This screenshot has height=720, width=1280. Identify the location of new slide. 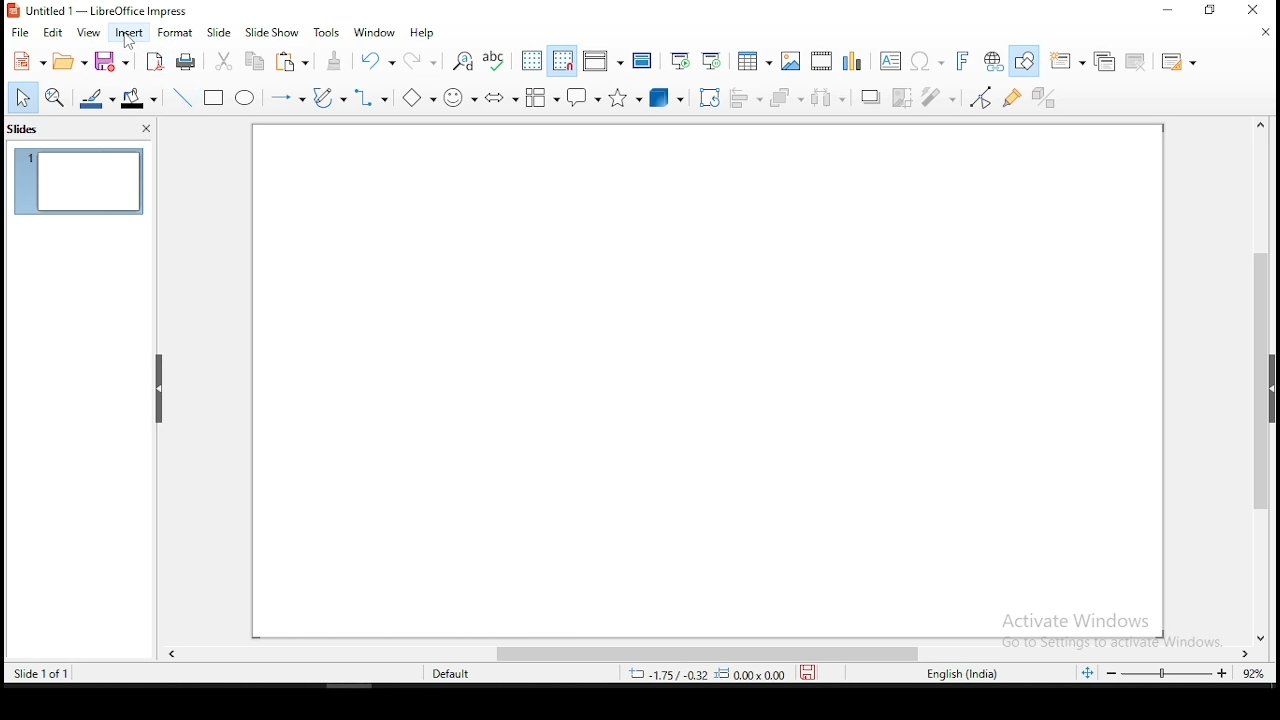
(1069, 62).